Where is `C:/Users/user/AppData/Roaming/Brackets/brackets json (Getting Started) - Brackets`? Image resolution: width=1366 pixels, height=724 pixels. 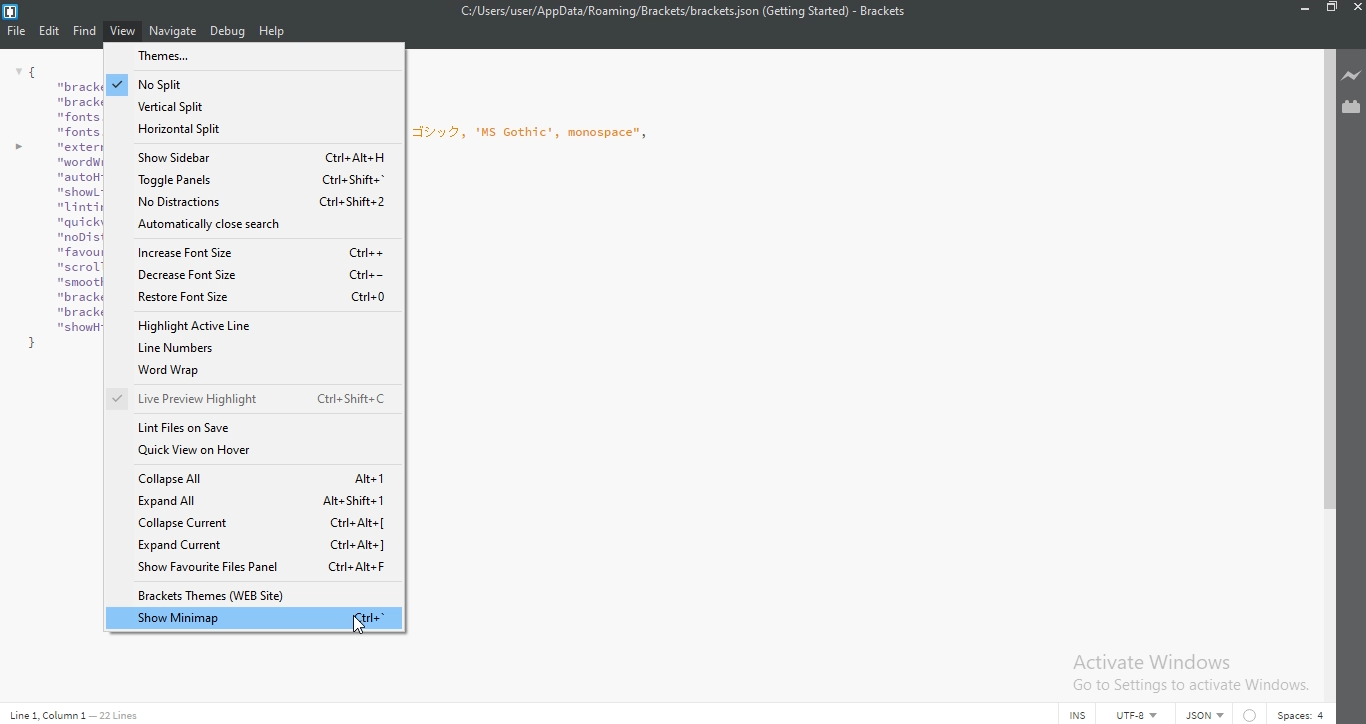
C:/Users/user/AppData/Roaming/Brackets/brackets json (Getting Started) - Brackets is located at coordinates (689, 12).